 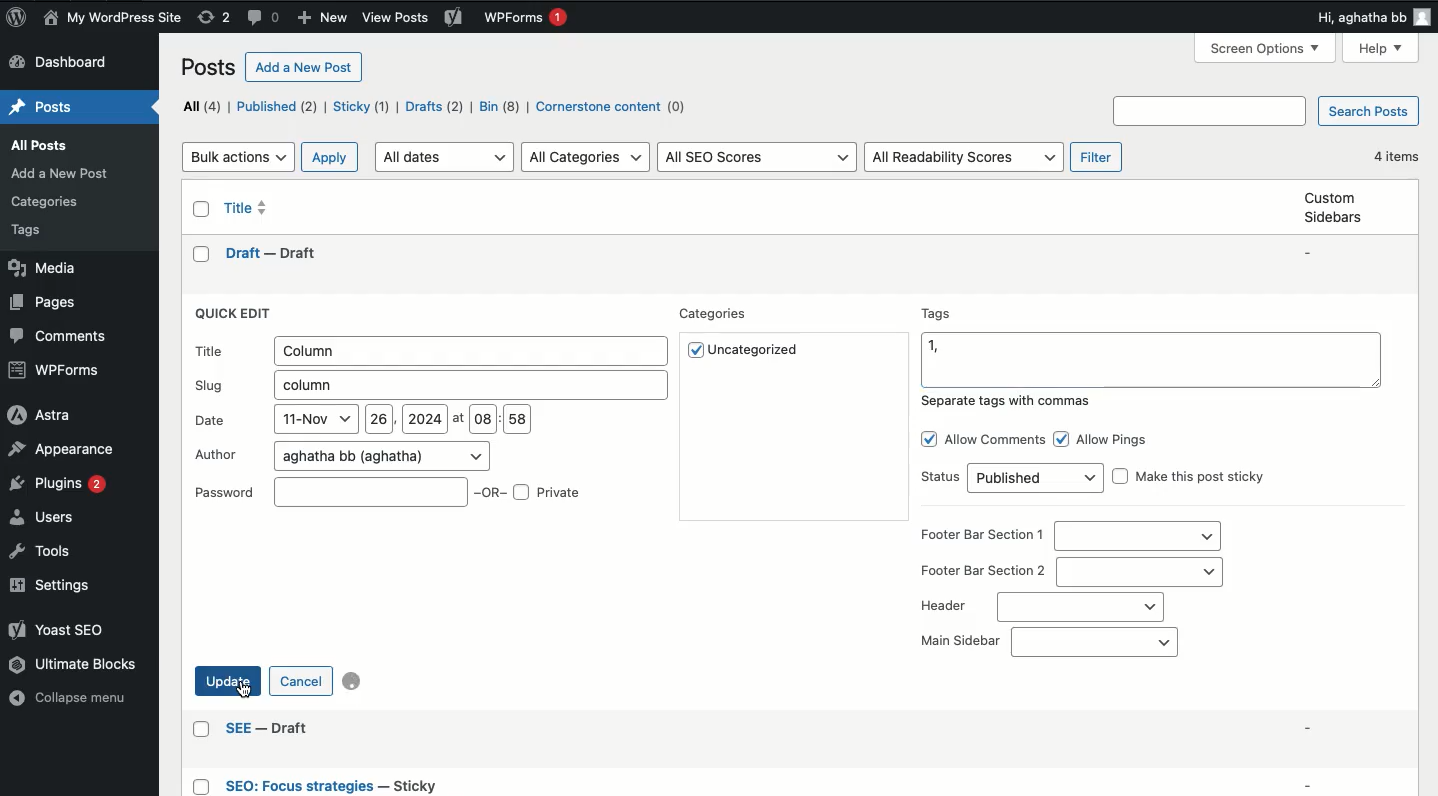 I want to click on Apply, so click(x=332, y=156).